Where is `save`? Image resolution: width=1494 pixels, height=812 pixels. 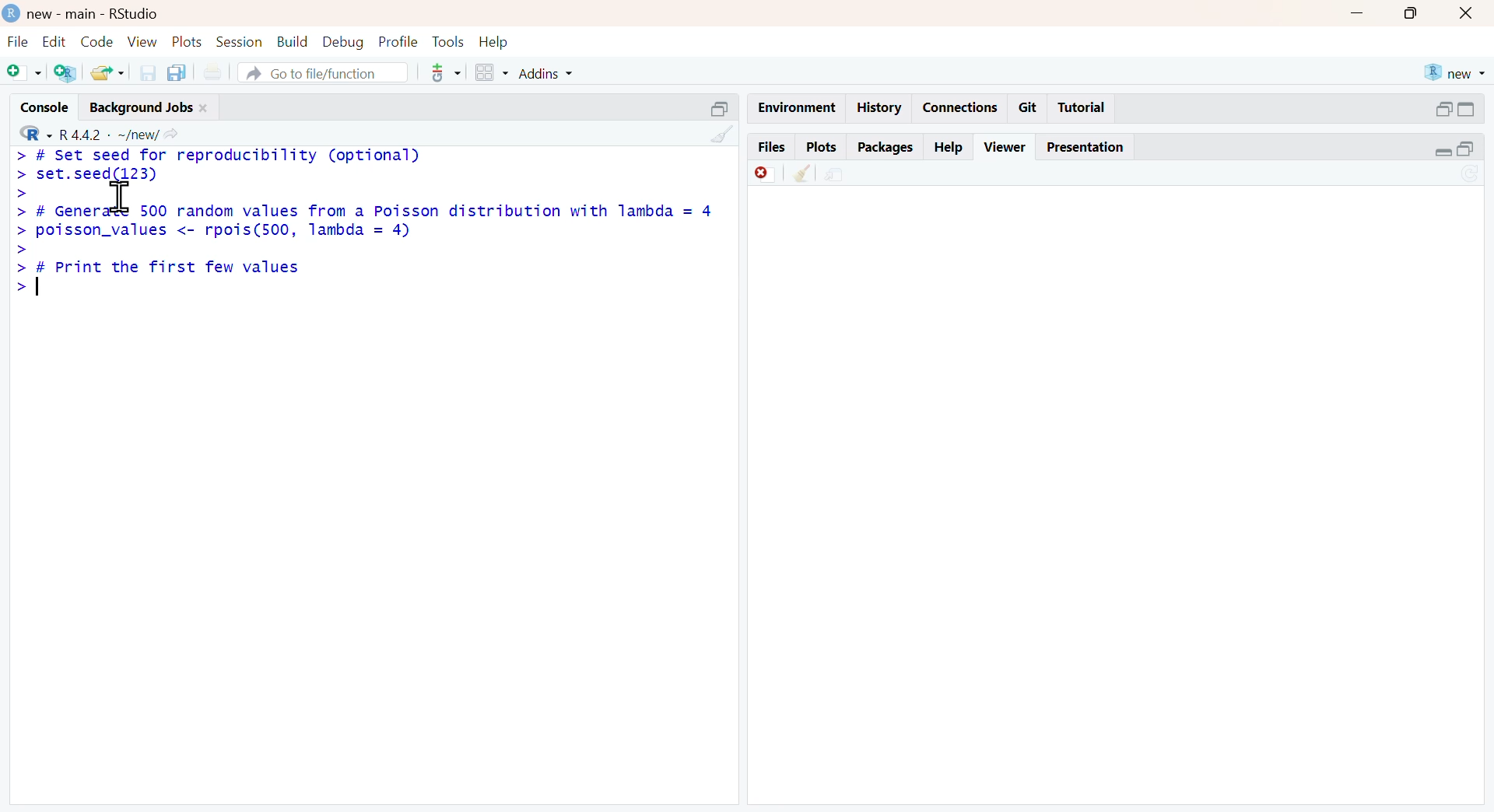
save is located at coordinates (149, 73).